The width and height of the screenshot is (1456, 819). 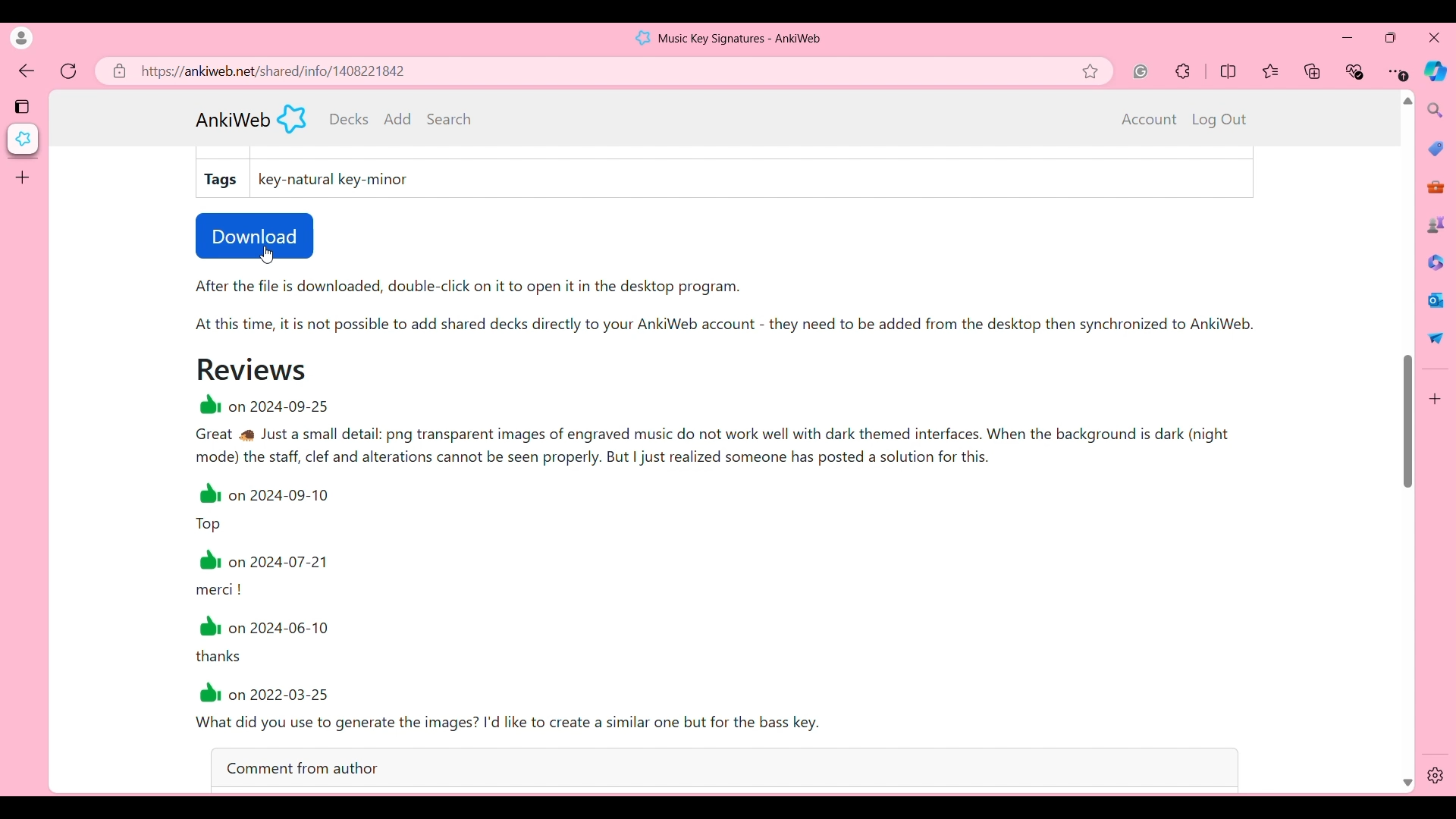 I want to click on Browser shopping, so click(x=1436, y=148).